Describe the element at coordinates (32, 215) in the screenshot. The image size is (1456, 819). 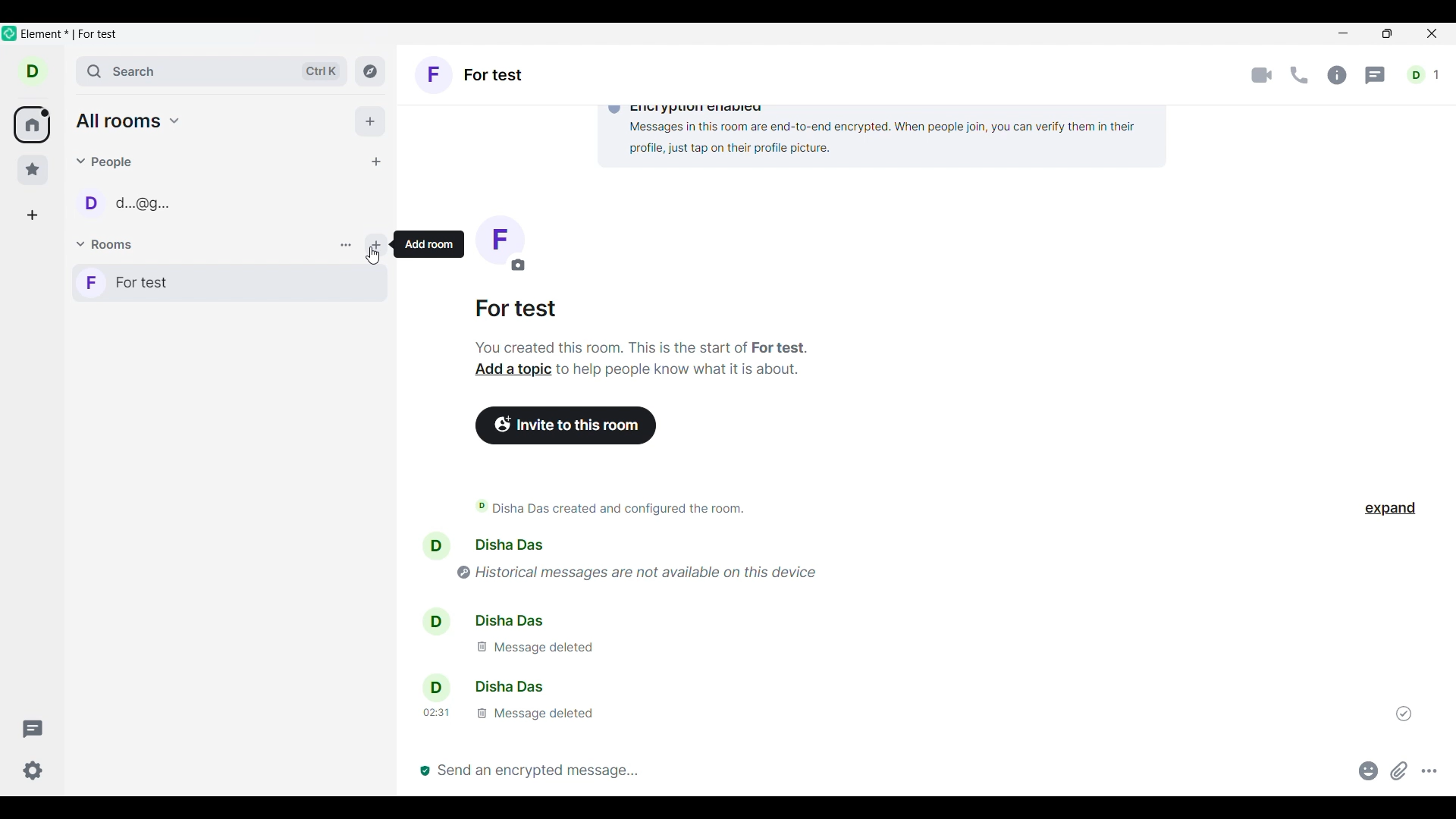
I see `Create a space` at that location.